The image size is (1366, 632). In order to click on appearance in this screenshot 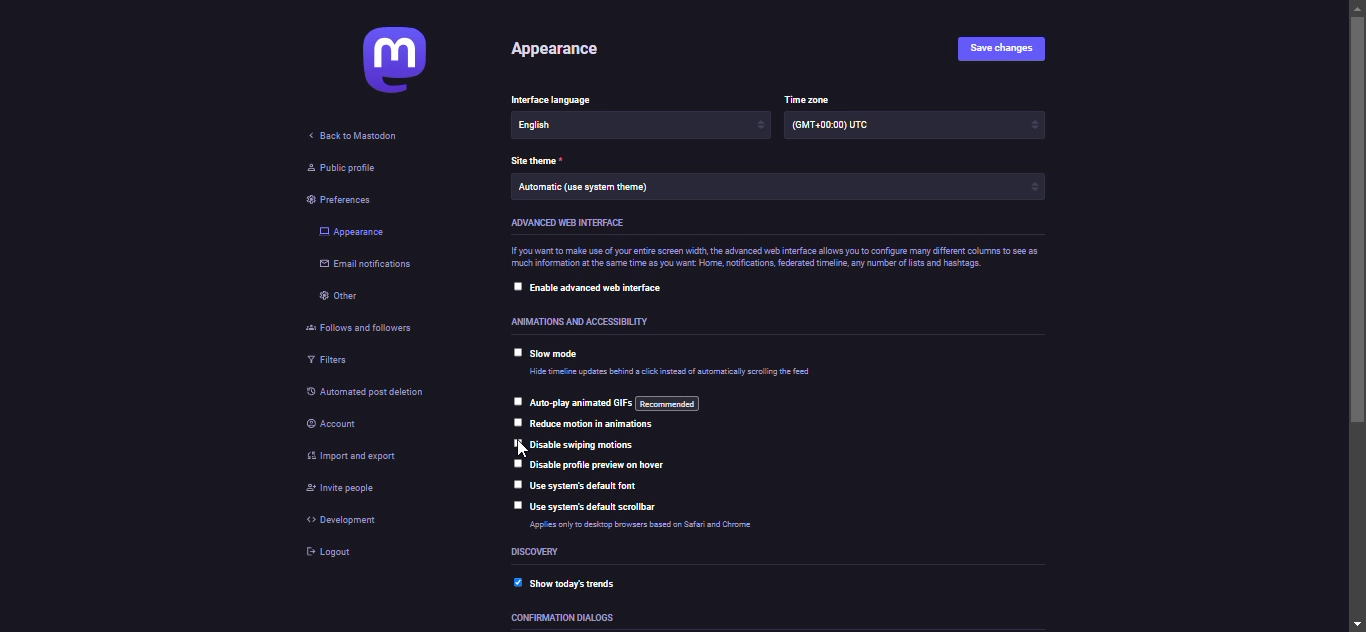, I will do `click(556, 49)`.